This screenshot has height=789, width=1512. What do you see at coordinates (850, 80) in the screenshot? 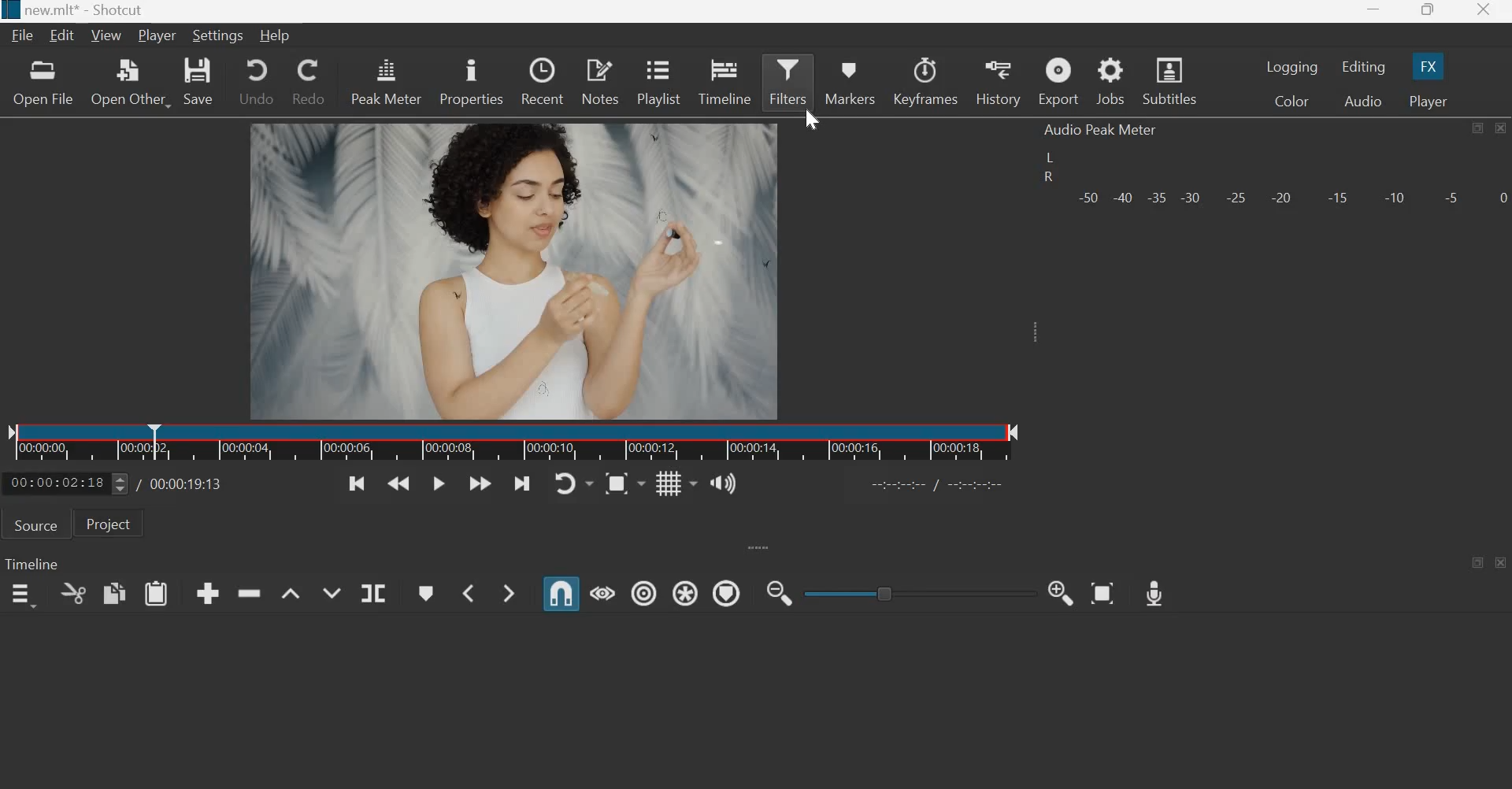
I see `Markers` at bounding box center [850, 80].